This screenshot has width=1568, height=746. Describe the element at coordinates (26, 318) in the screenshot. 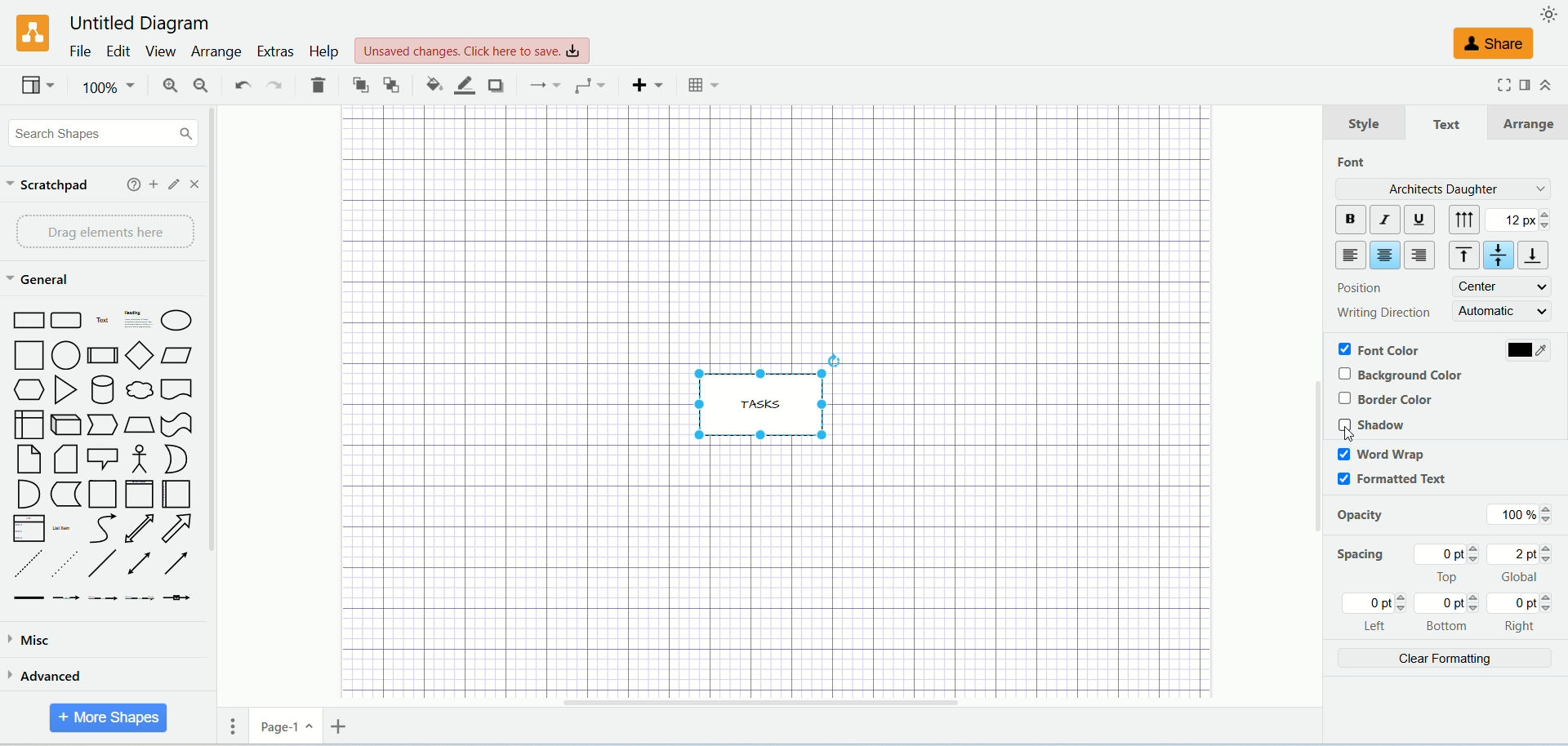

I see `Rectangle` at that location.